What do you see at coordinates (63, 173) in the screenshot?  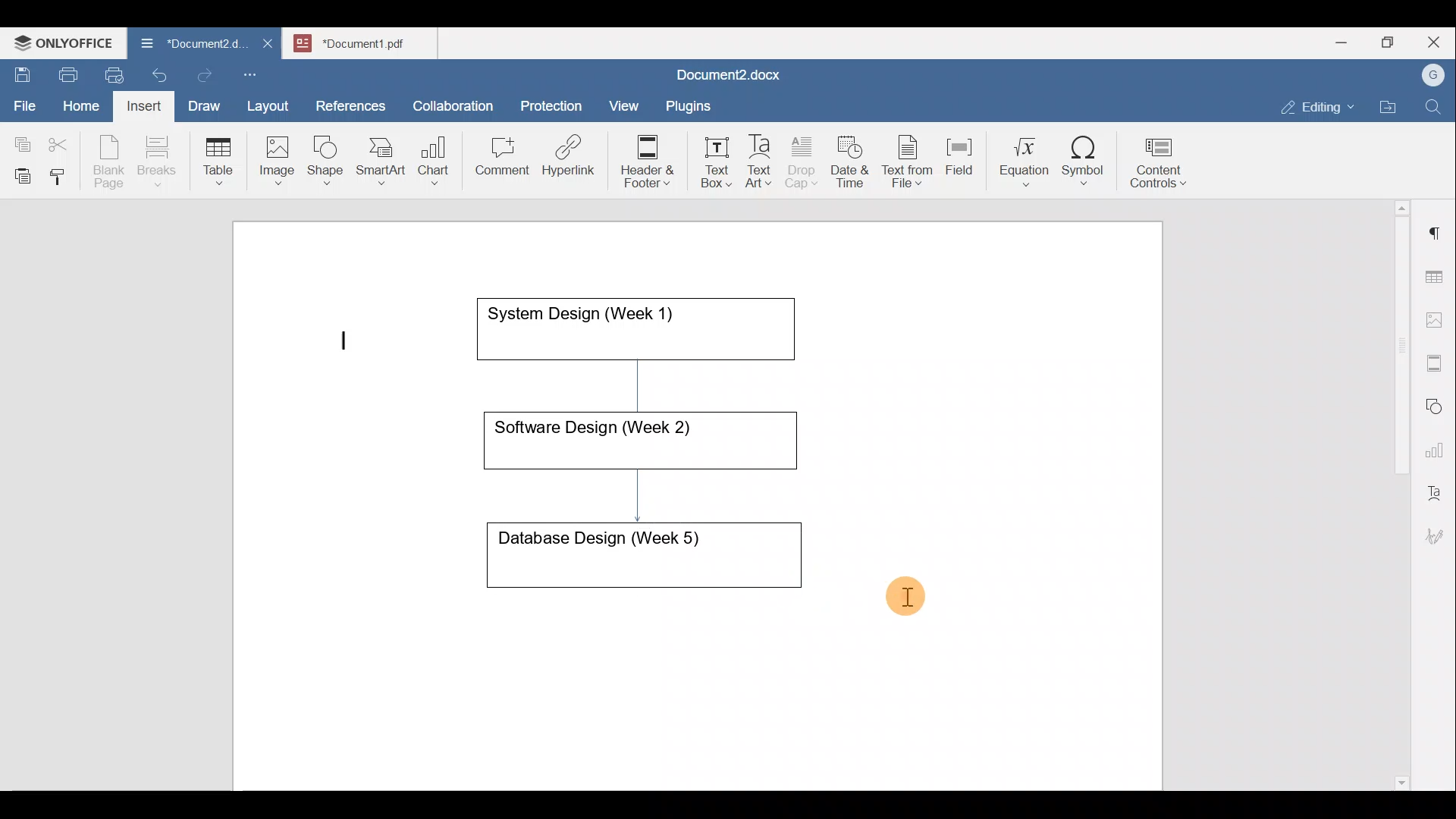 I see `Copy style` at bounding box center [63, 173].